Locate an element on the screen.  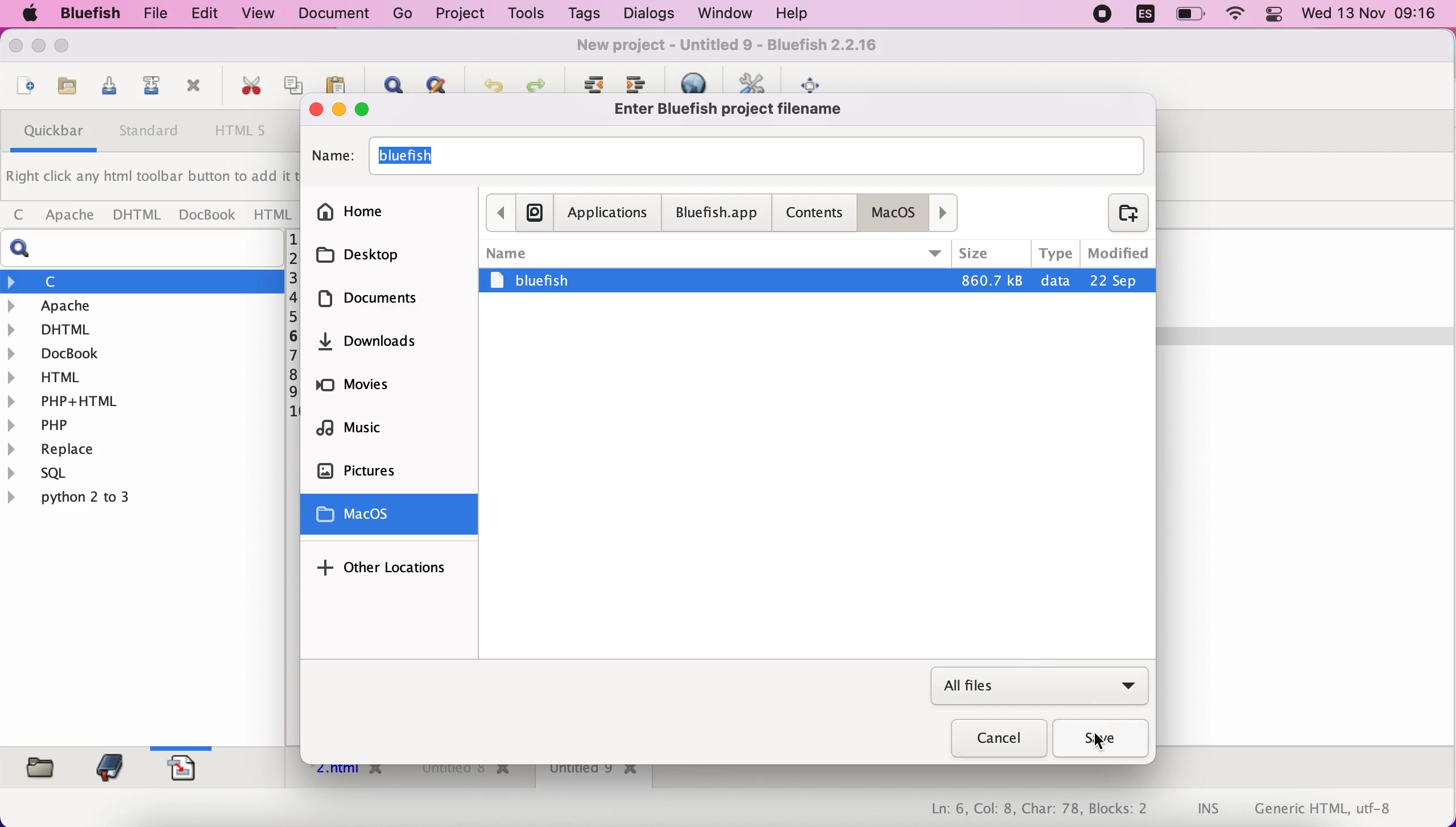
filebrowser is located at coordinates (36, 766).